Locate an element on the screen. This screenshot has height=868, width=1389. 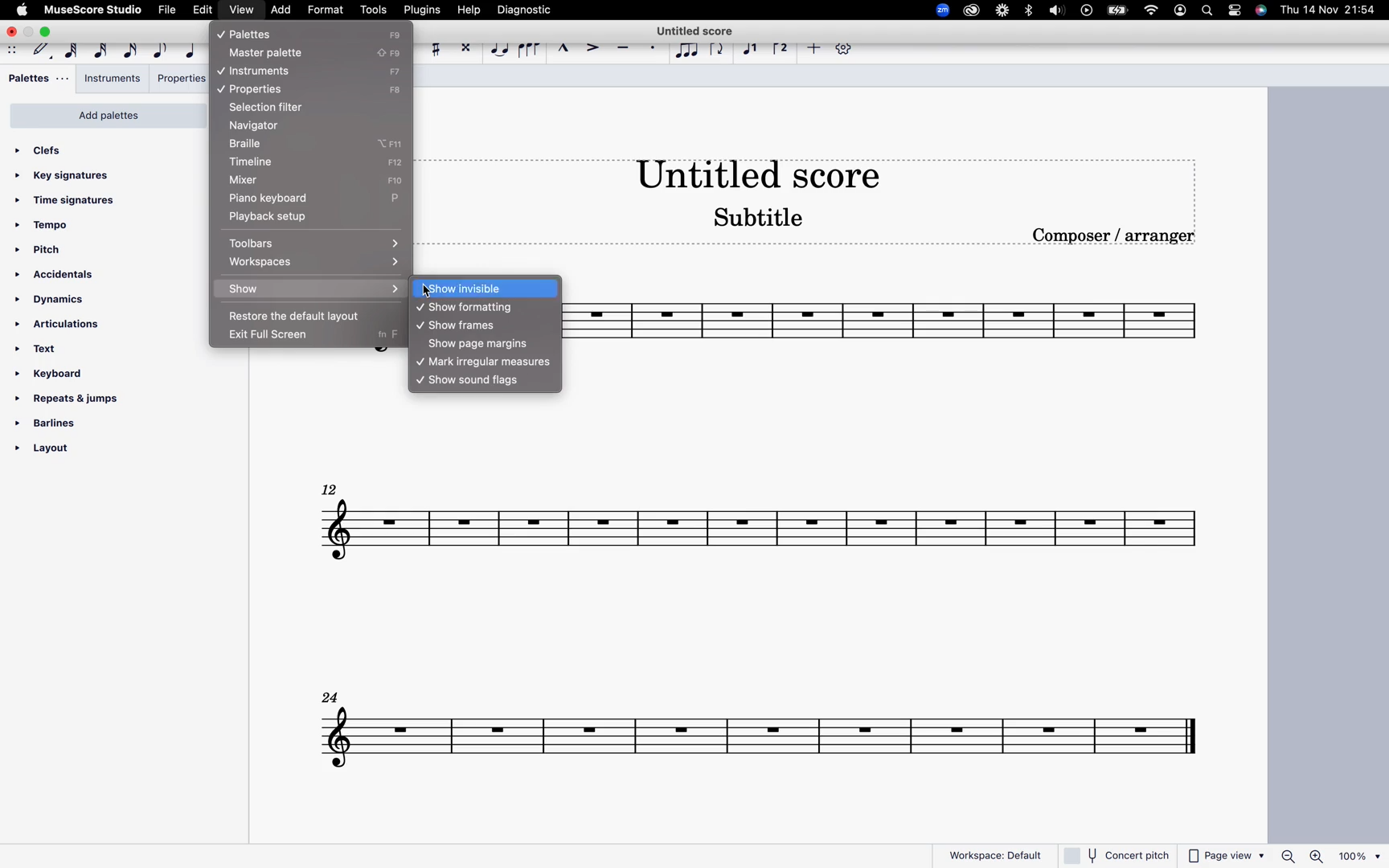
braille is located at coordinates (293, 144).